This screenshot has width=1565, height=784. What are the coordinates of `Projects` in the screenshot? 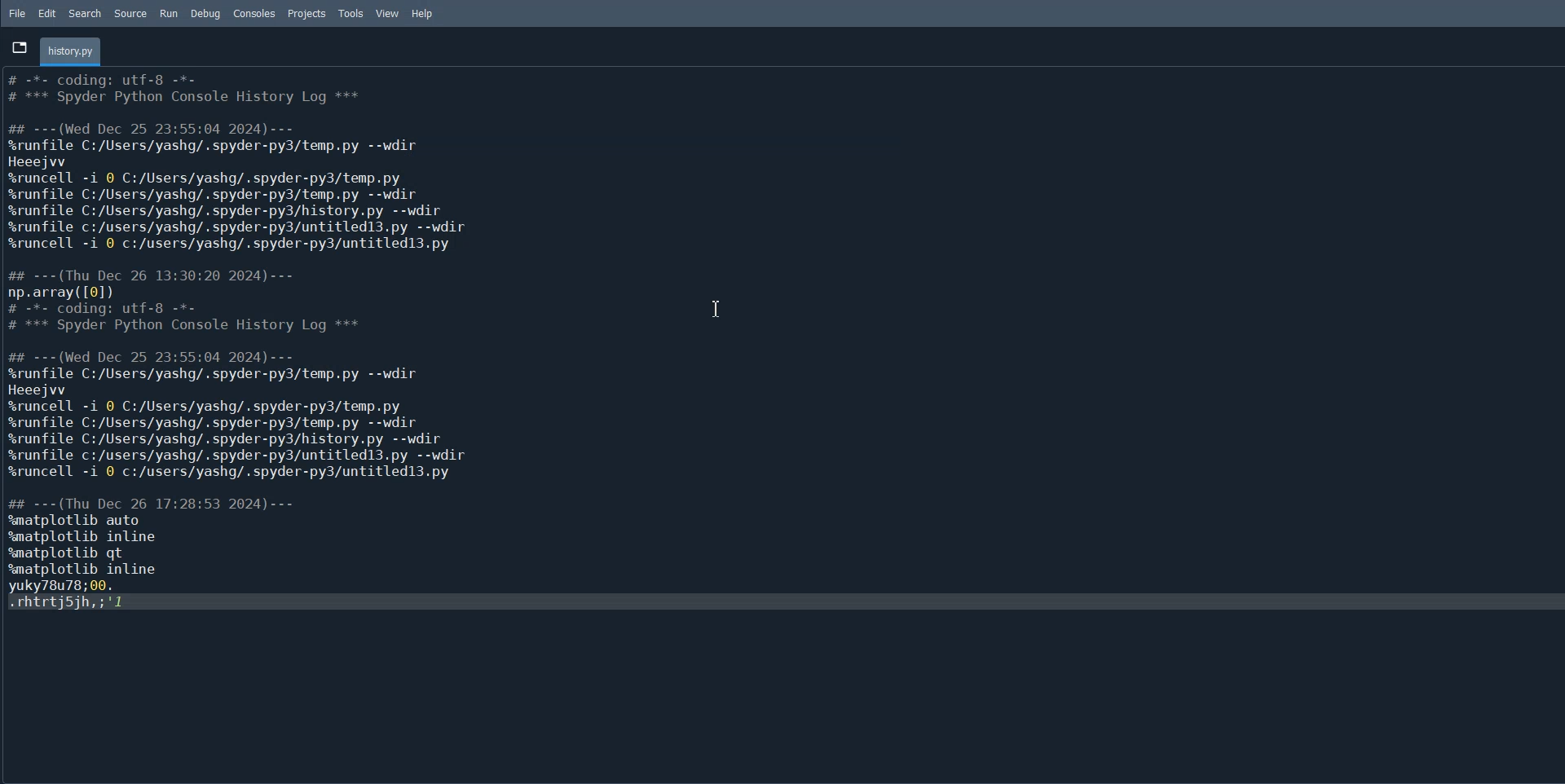 It's located at (306, 14).